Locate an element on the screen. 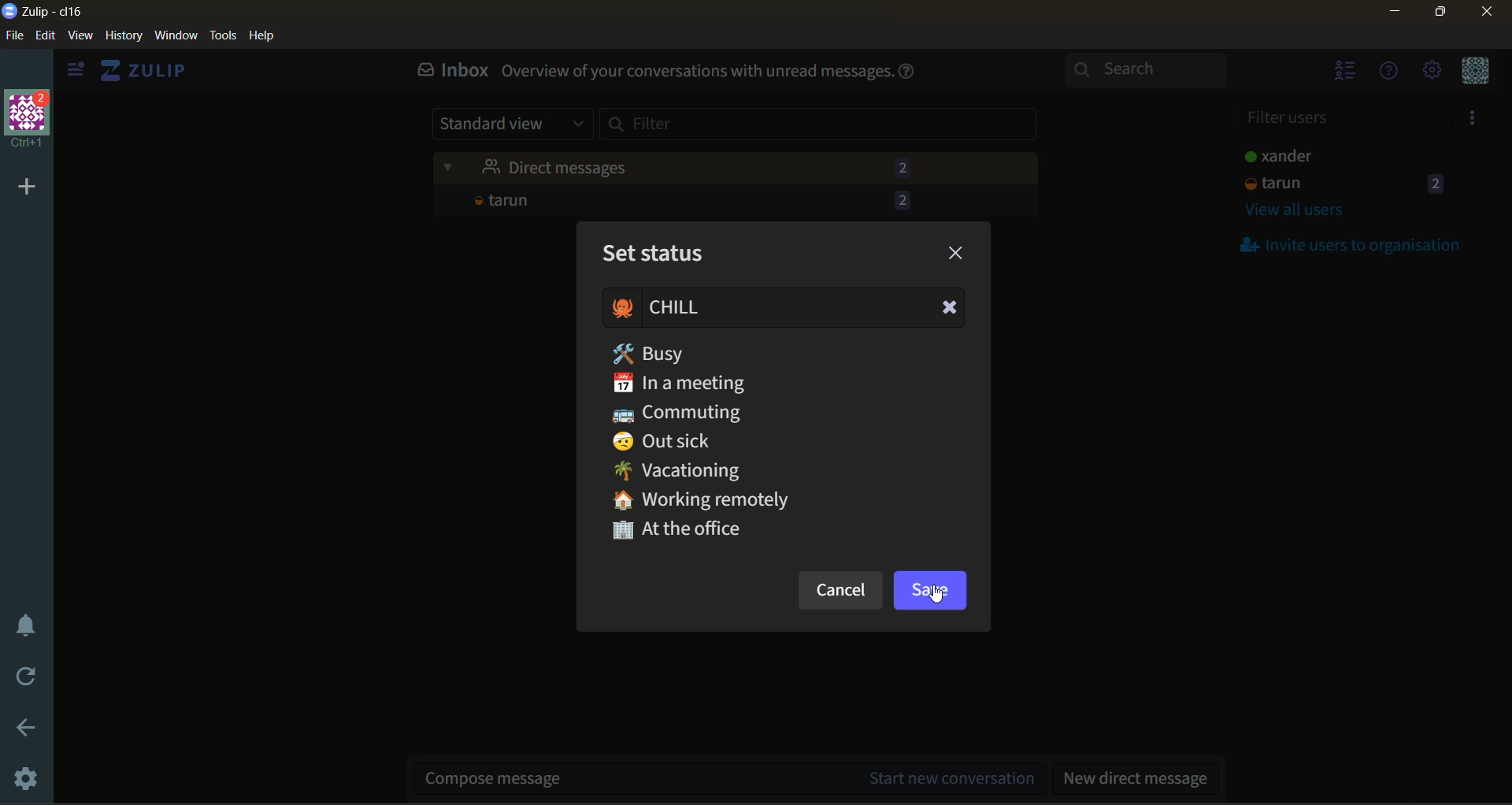 This screenshot has height=805, width=1512. tarun is located at coordinates (726, 200).